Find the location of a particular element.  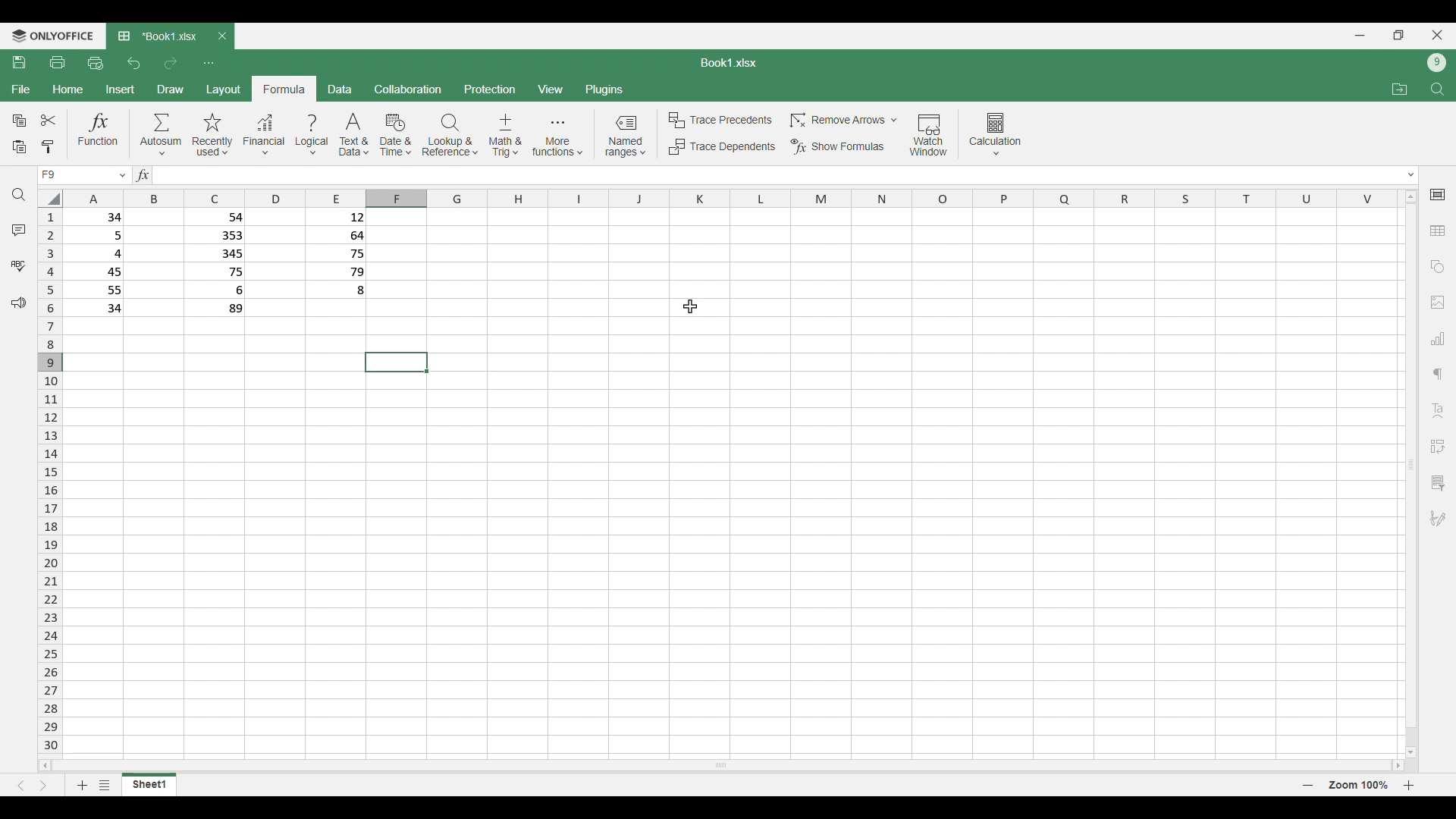

File menu is located at coordinates (21, 89).